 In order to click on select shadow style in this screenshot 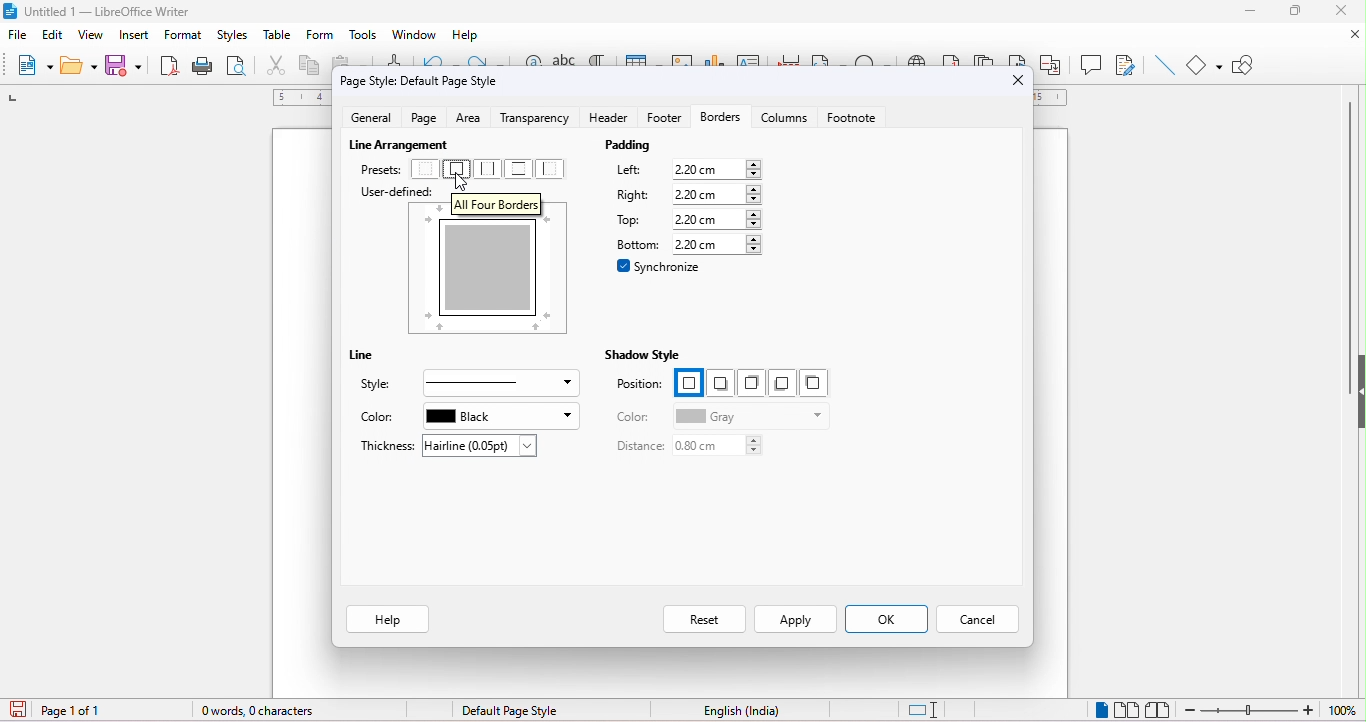, I will do `click(748, 381)`.